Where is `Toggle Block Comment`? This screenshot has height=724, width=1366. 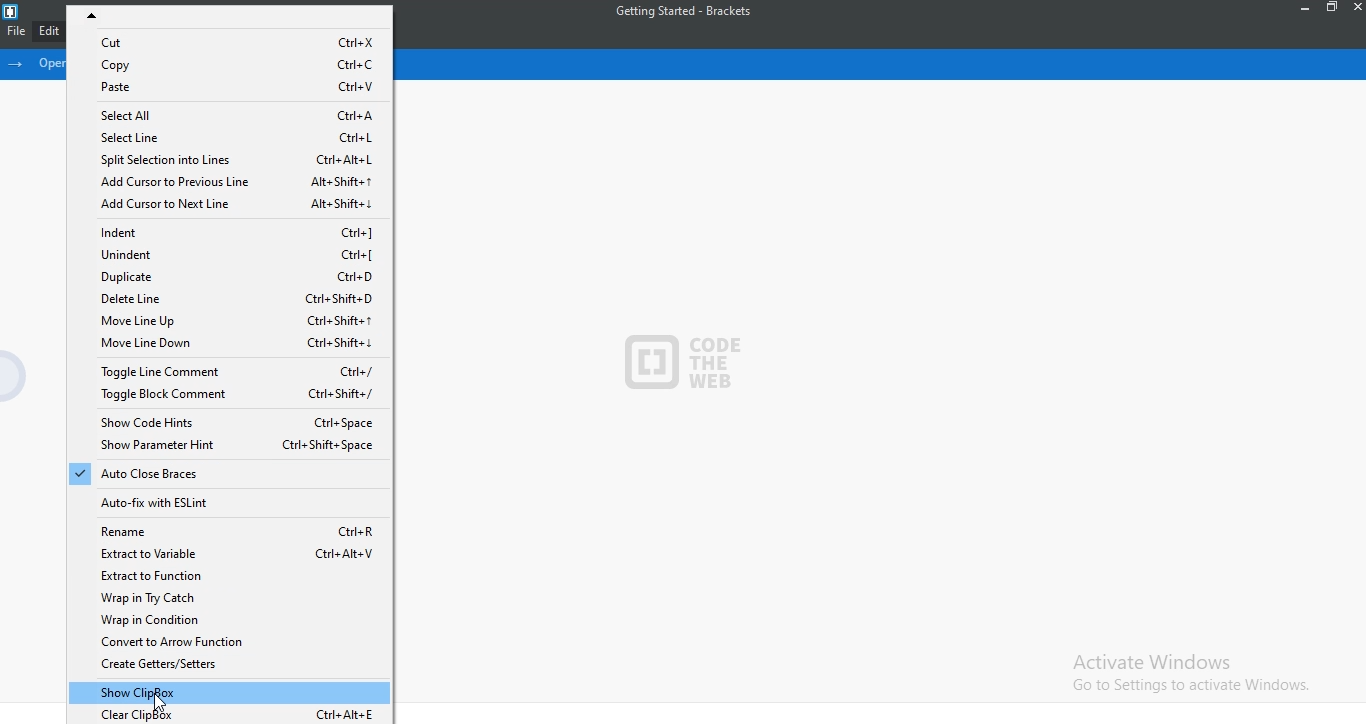 Toggle Block Comment is located at coordinates (223, 398).